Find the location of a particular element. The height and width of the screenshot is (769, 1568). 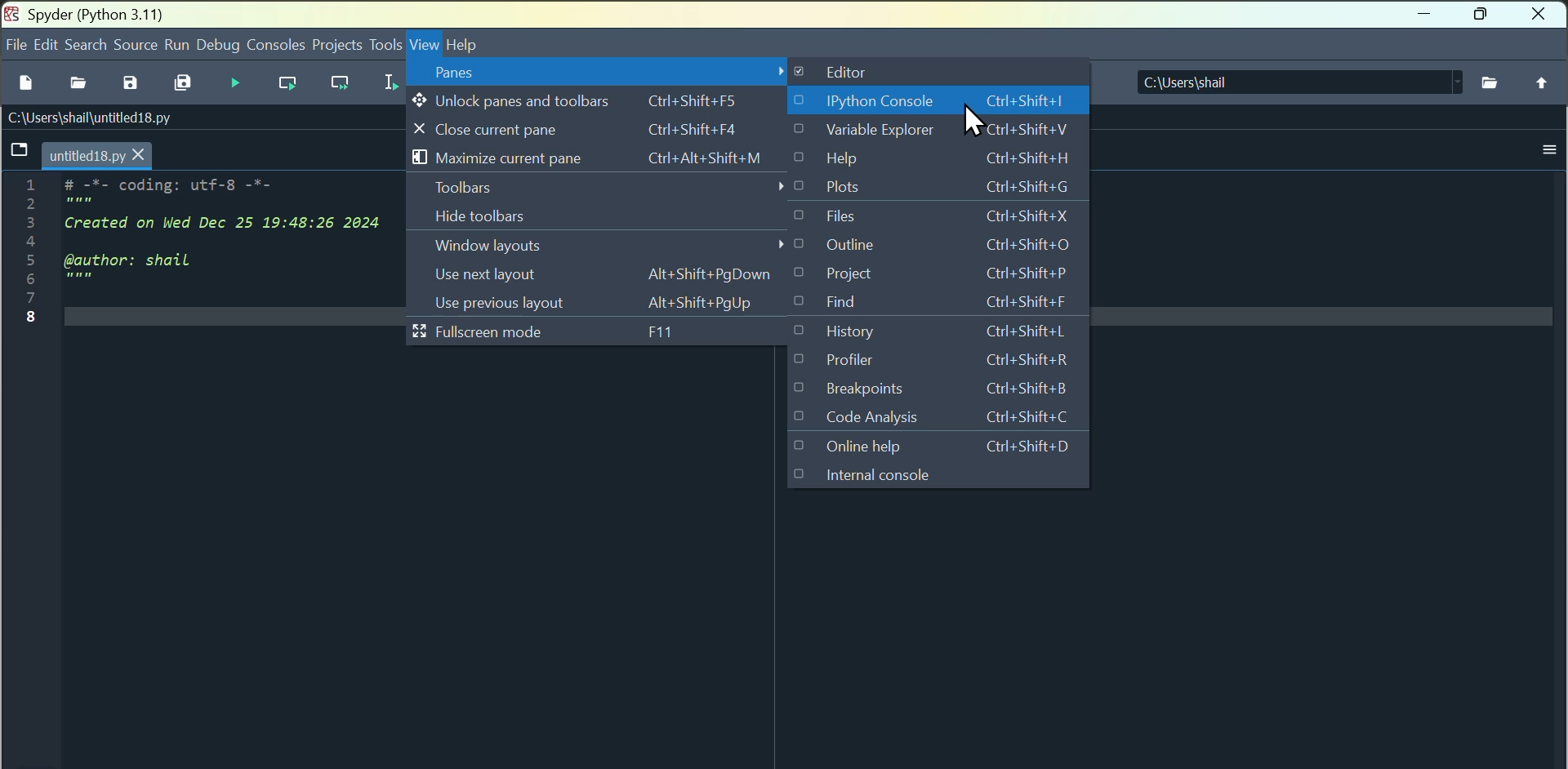

file is located at coordinates (15, 46).